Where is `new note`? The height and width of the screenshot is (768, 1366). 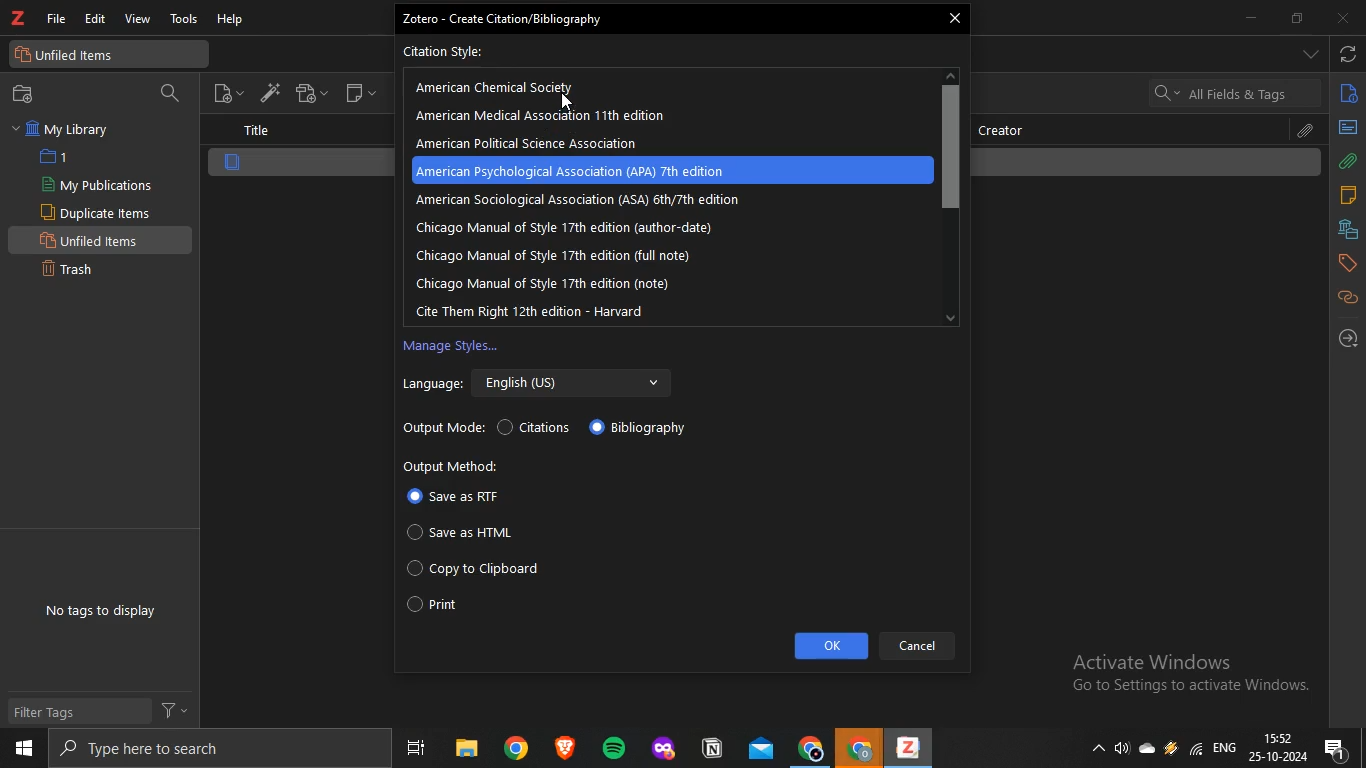 new note is located at coordinates (361, 92).